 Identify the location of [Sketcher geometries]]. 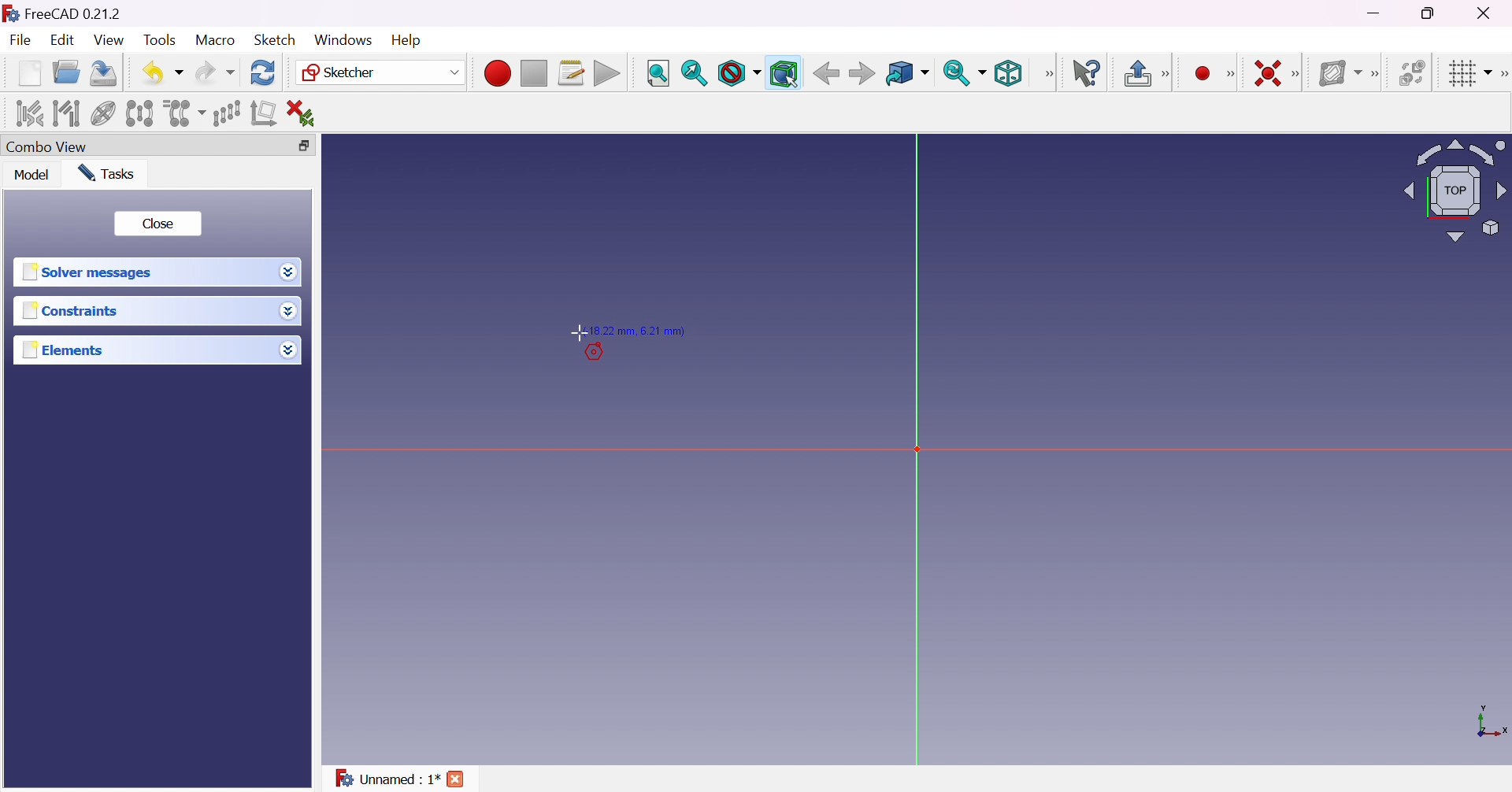
(1230, 74).